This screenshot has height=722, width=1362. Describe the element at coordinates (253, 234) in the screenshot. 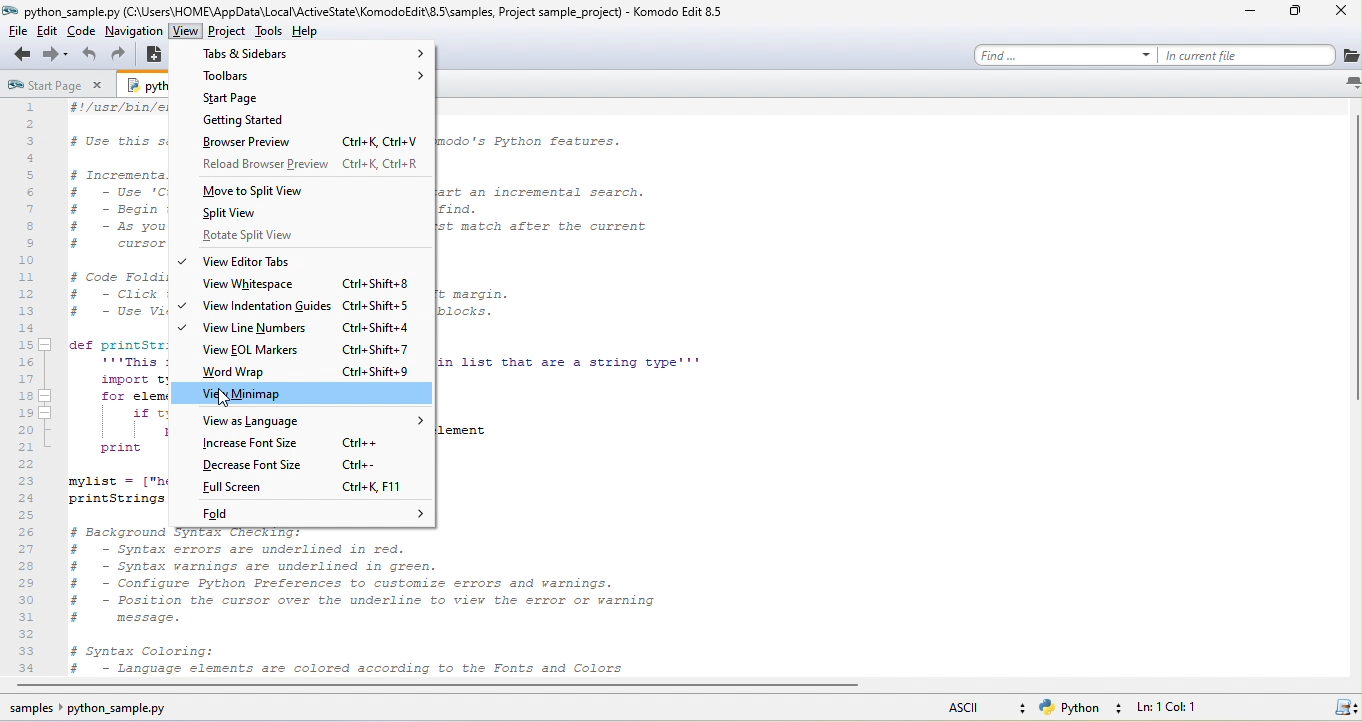

I see `rotate split view` at that location.